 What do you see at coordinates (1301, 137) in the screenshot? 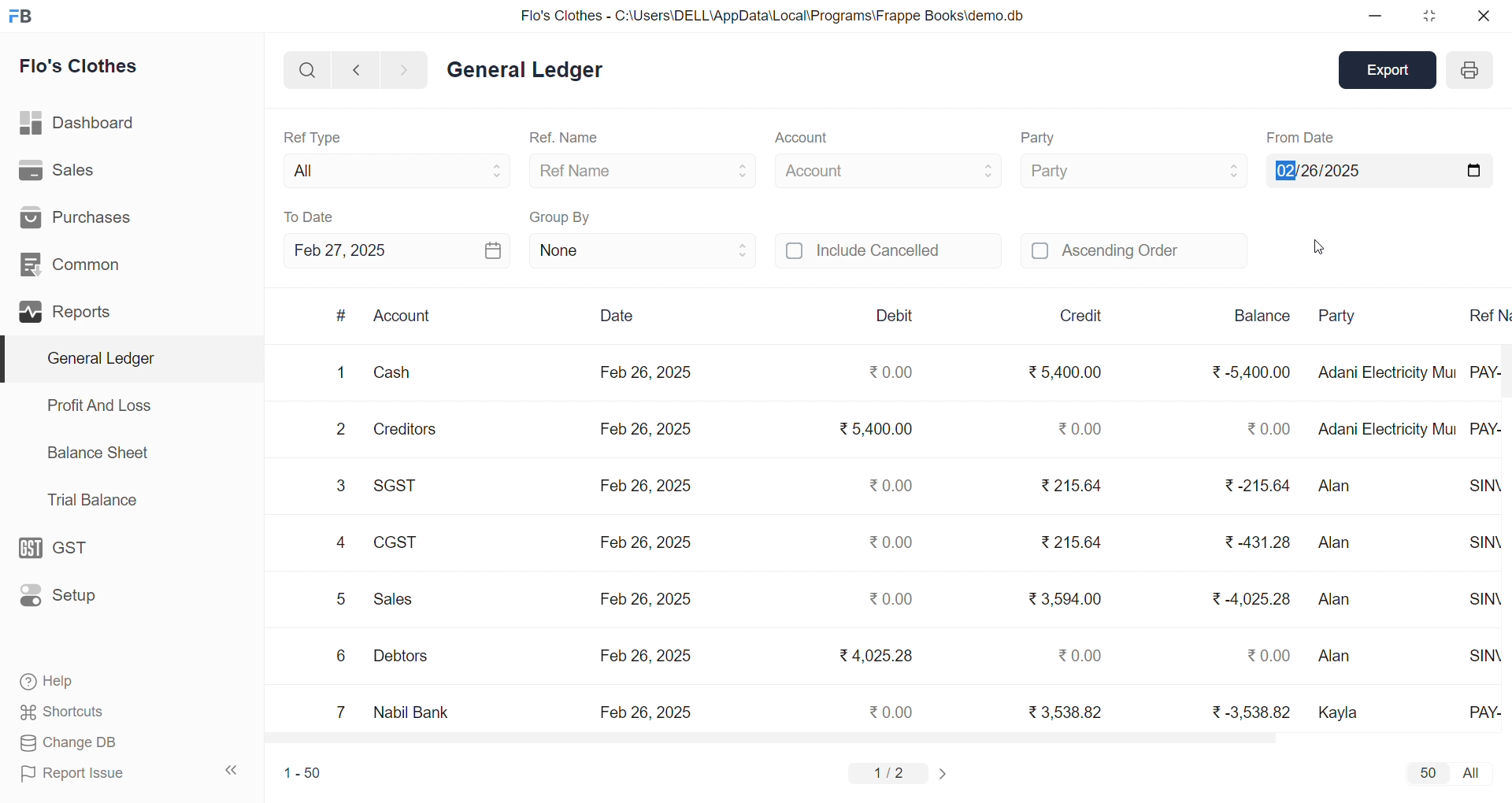
I see `From Date` at bounding box center [1301, 137].